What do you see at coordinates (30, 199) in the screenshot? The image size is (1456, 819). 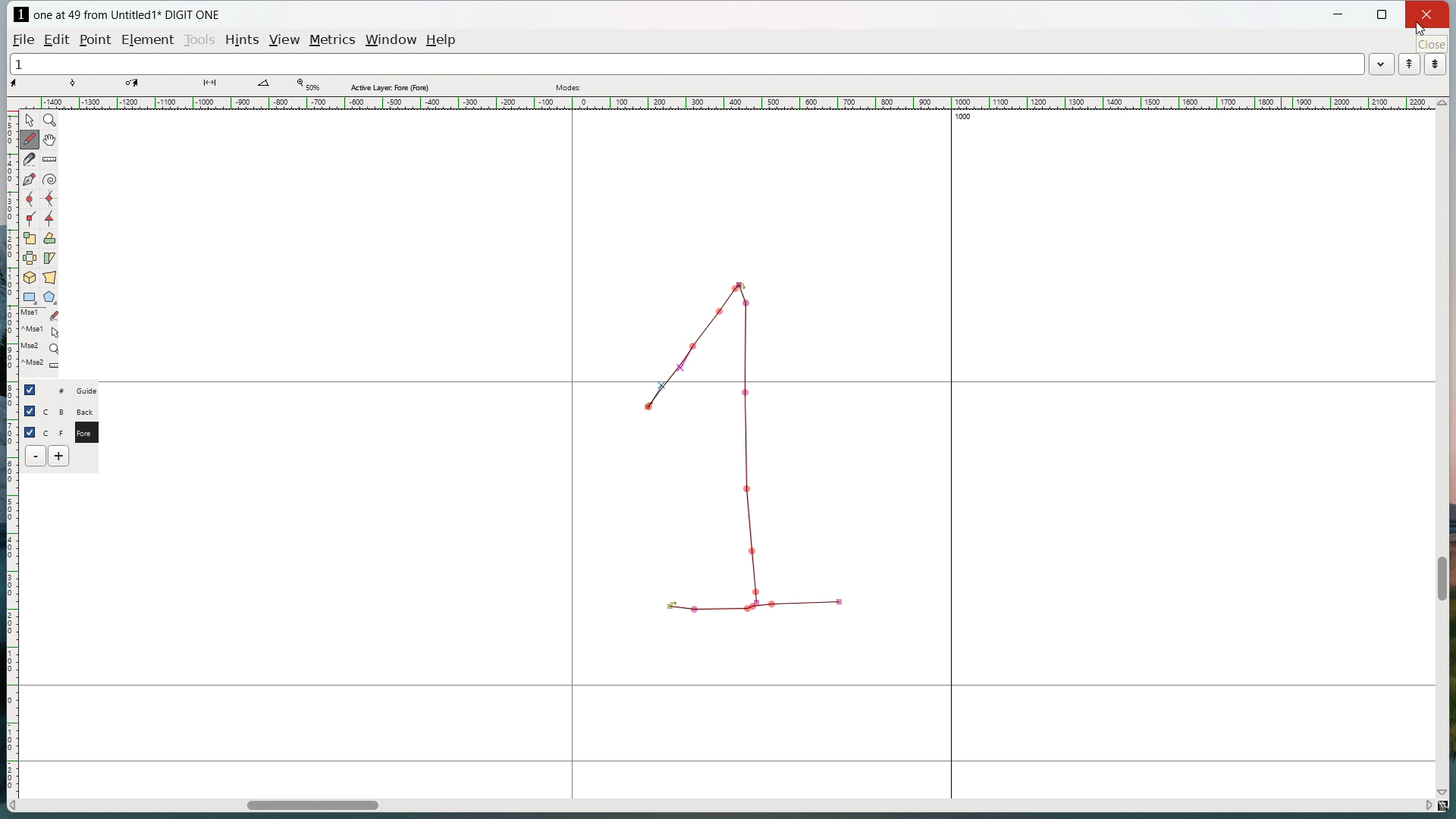 I see `add a curve point` at bounding box center [30, 199].